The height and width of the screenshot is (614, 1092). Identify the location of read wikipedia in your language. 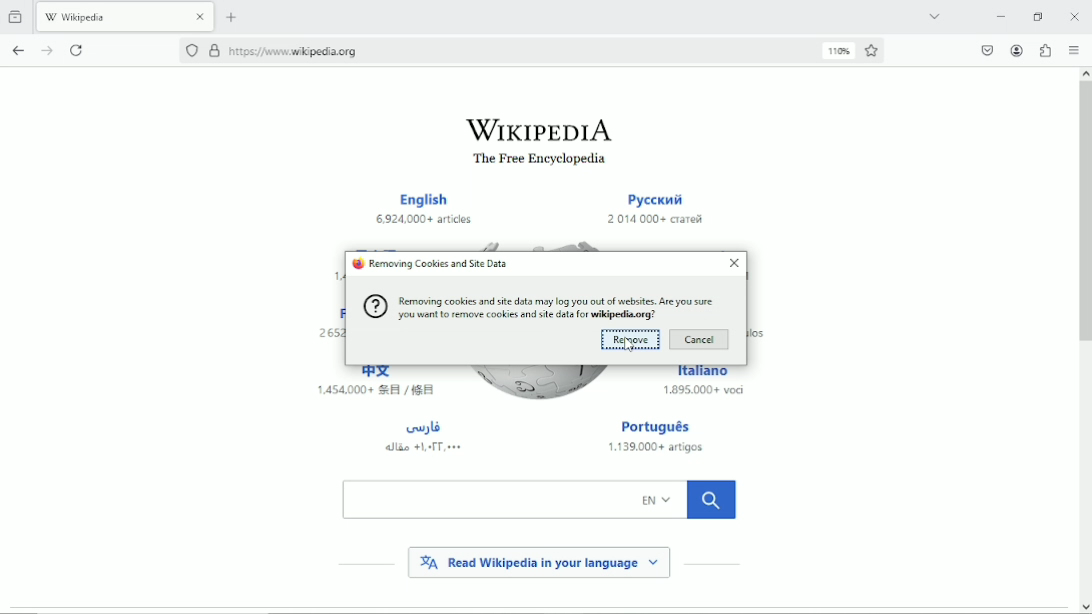
(539, 561).